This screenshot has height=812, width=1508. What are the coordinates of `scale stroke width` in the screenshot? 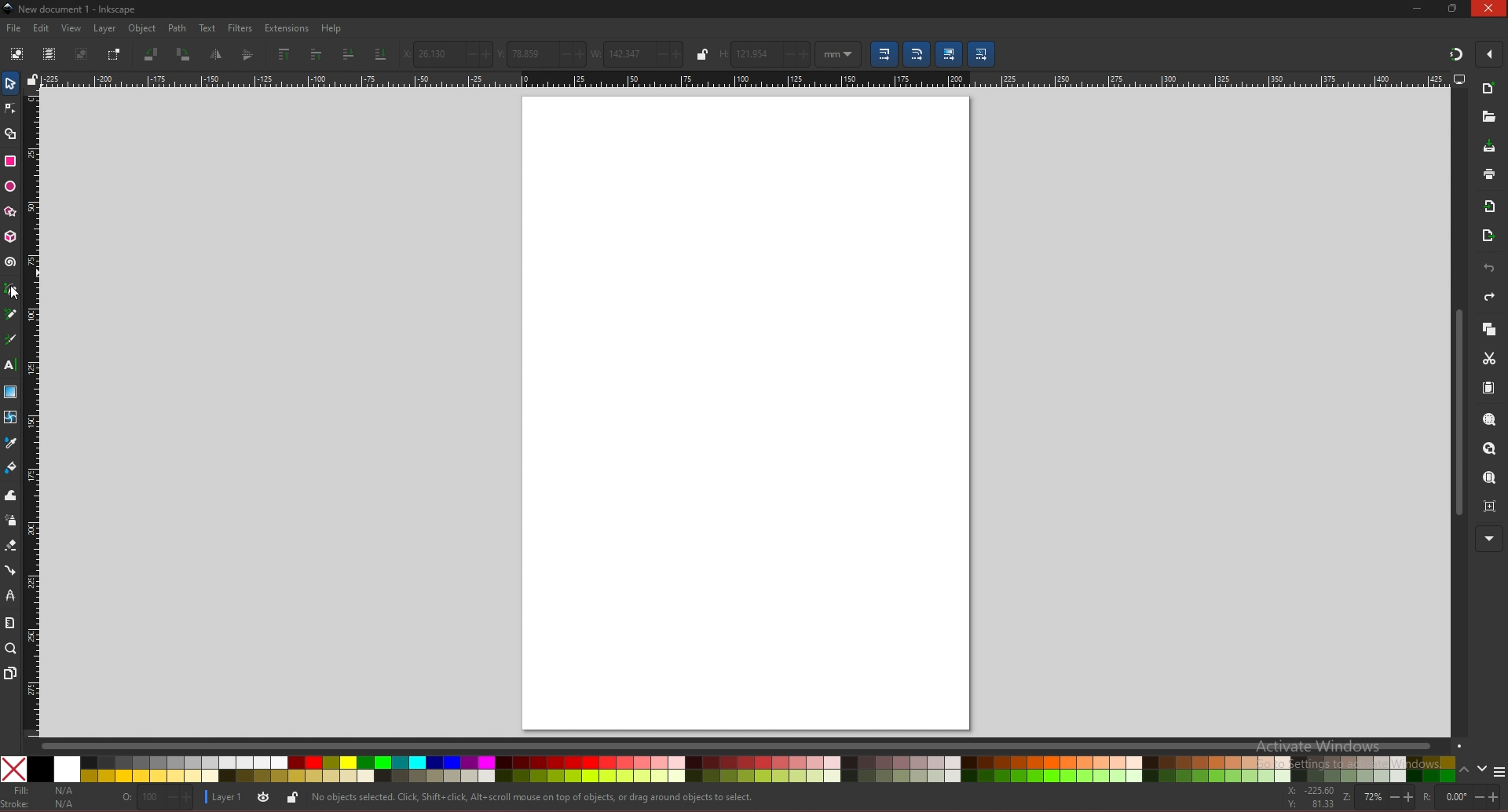 It's located at (884, 54).